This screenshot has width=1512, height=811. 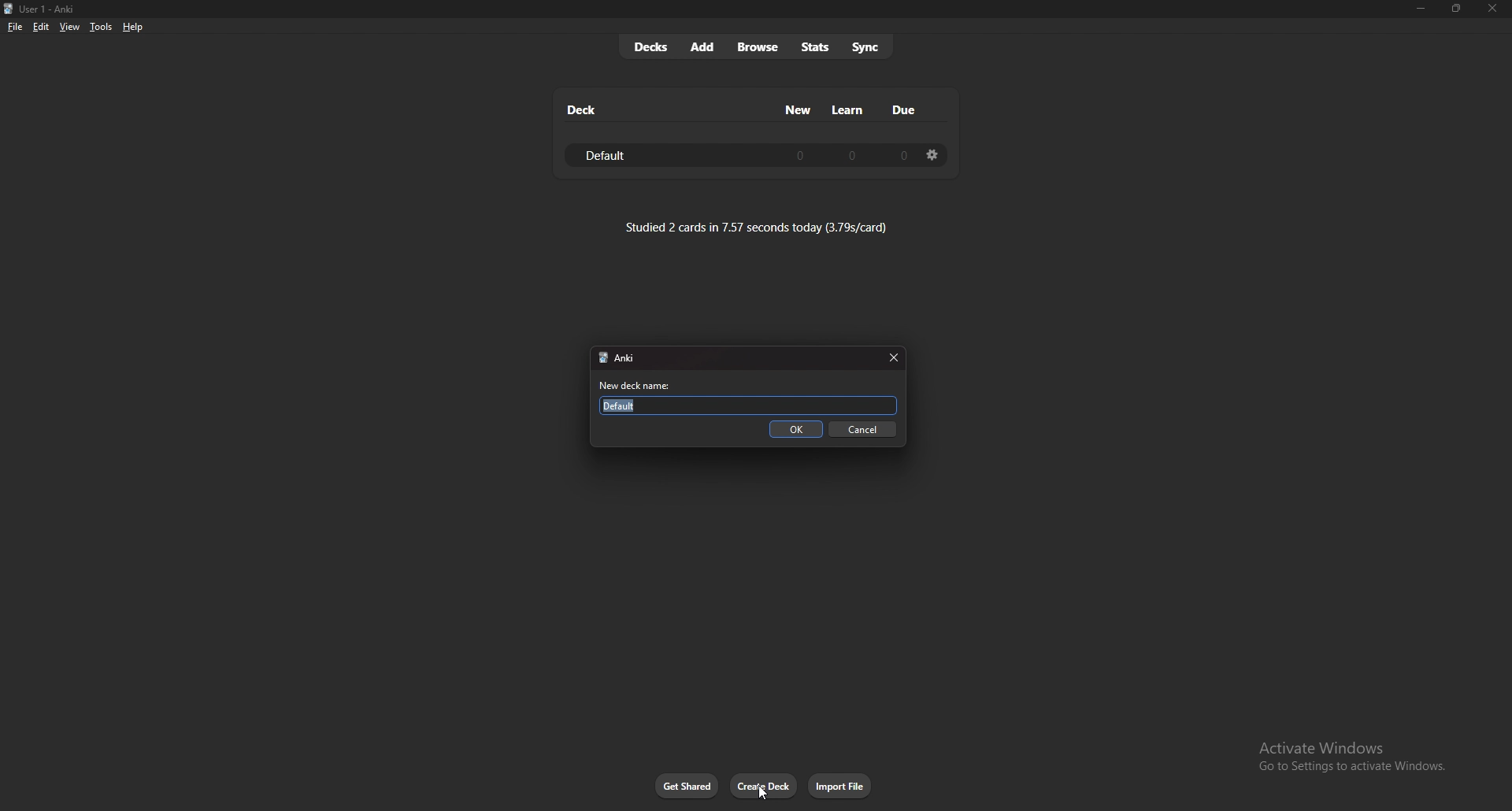 What do you see at coordinates (39, 28) in the screenshot?
I see `edit` at bounding box center [39, 28].